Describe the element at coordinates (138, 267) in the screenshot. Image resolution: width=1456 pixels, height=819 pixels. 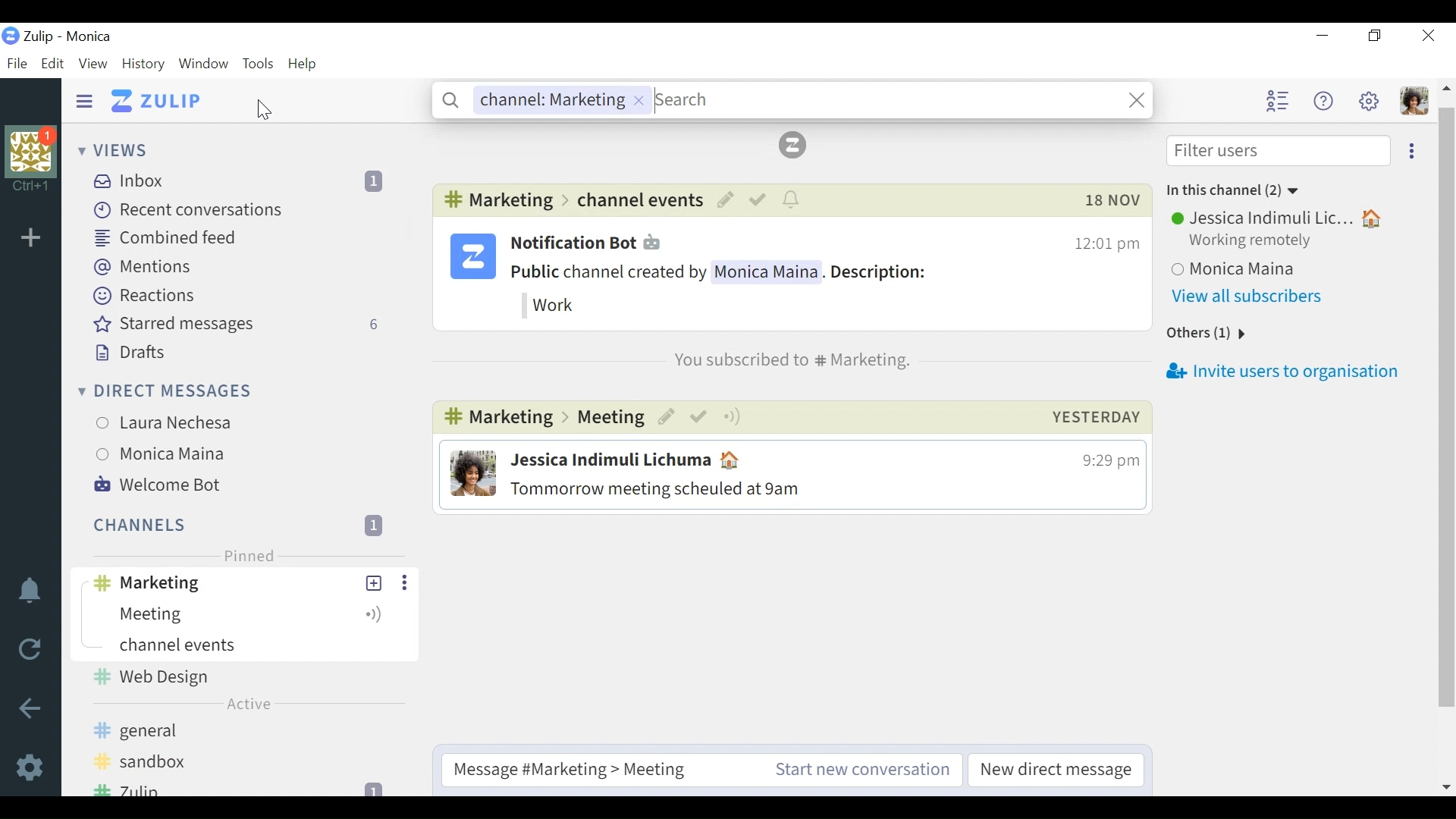
I see `Mentions` at that location.